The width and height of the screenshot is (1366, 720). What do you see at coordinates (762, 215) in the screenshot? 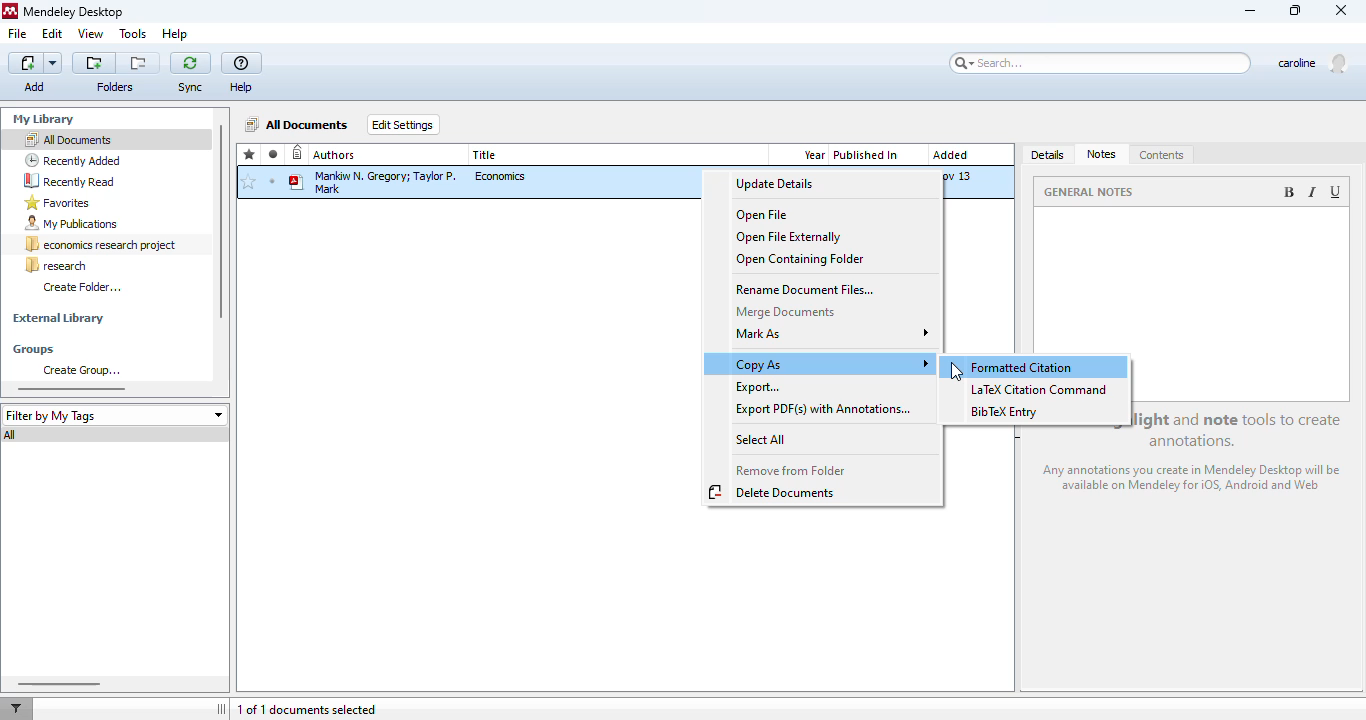
I see `open file` at bounding box center [762, 215].